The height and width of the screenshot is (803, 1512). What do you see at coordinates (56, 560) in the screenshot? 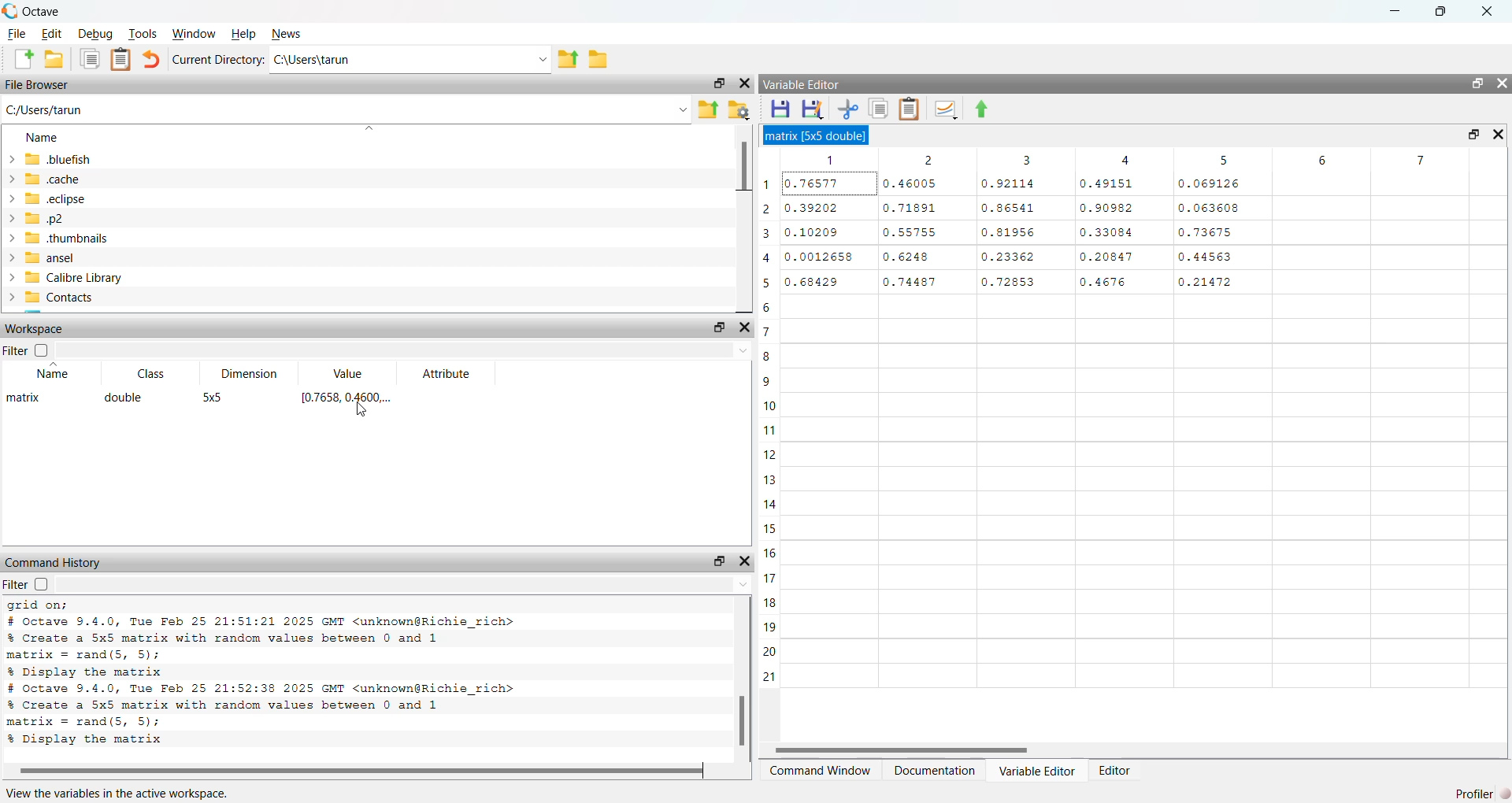
I see `Command History` at bounding box center [56, 560].